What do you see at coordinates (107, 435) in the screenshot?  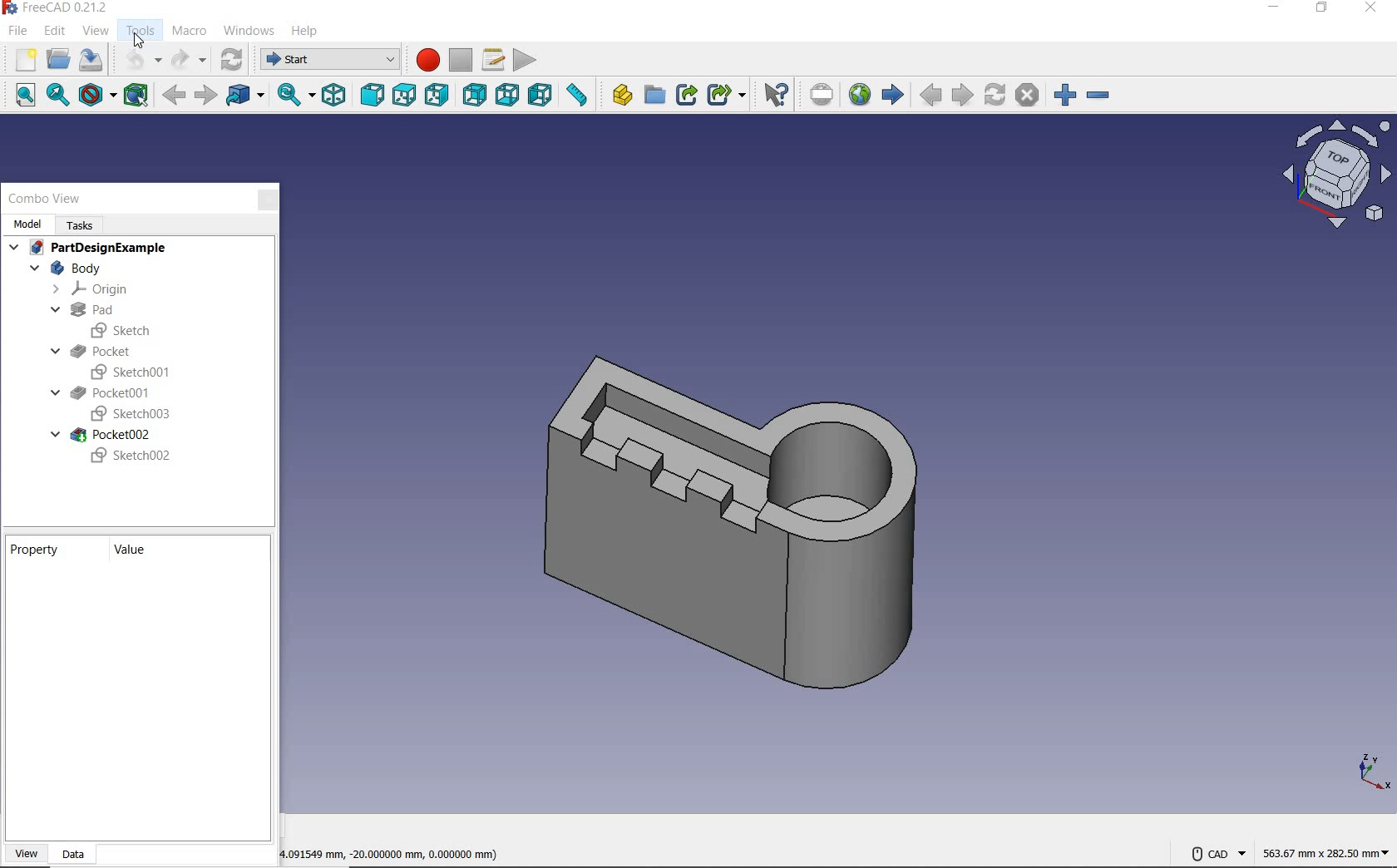 I see `Pocket002` at bounding box center [107, 435].